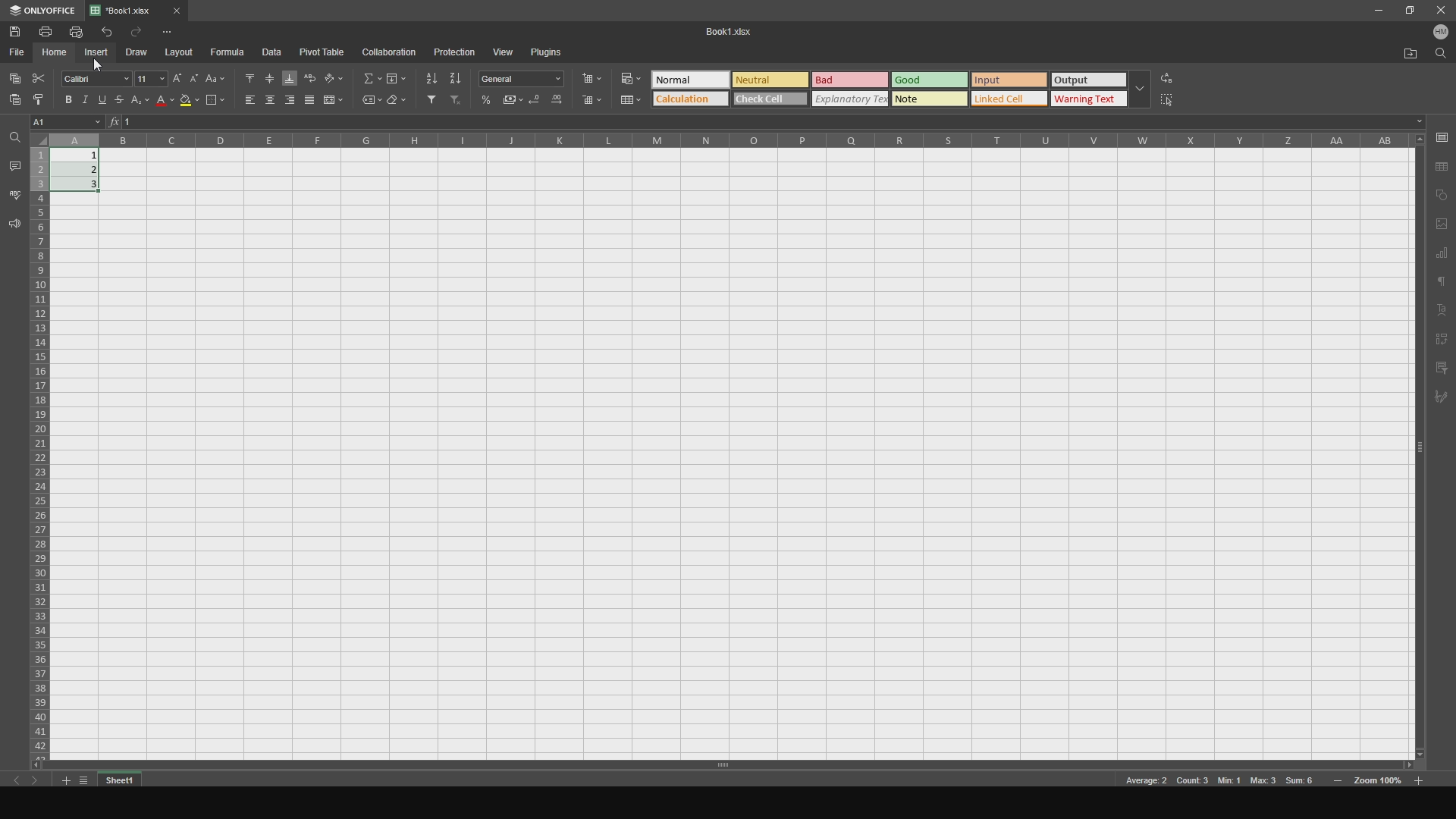 Image resolution: width=1456 pixels, height=819 pixels. What do you see at coordinates (100, 53) in the screenshot?
I see `insert` at bounding box center [100, 53].